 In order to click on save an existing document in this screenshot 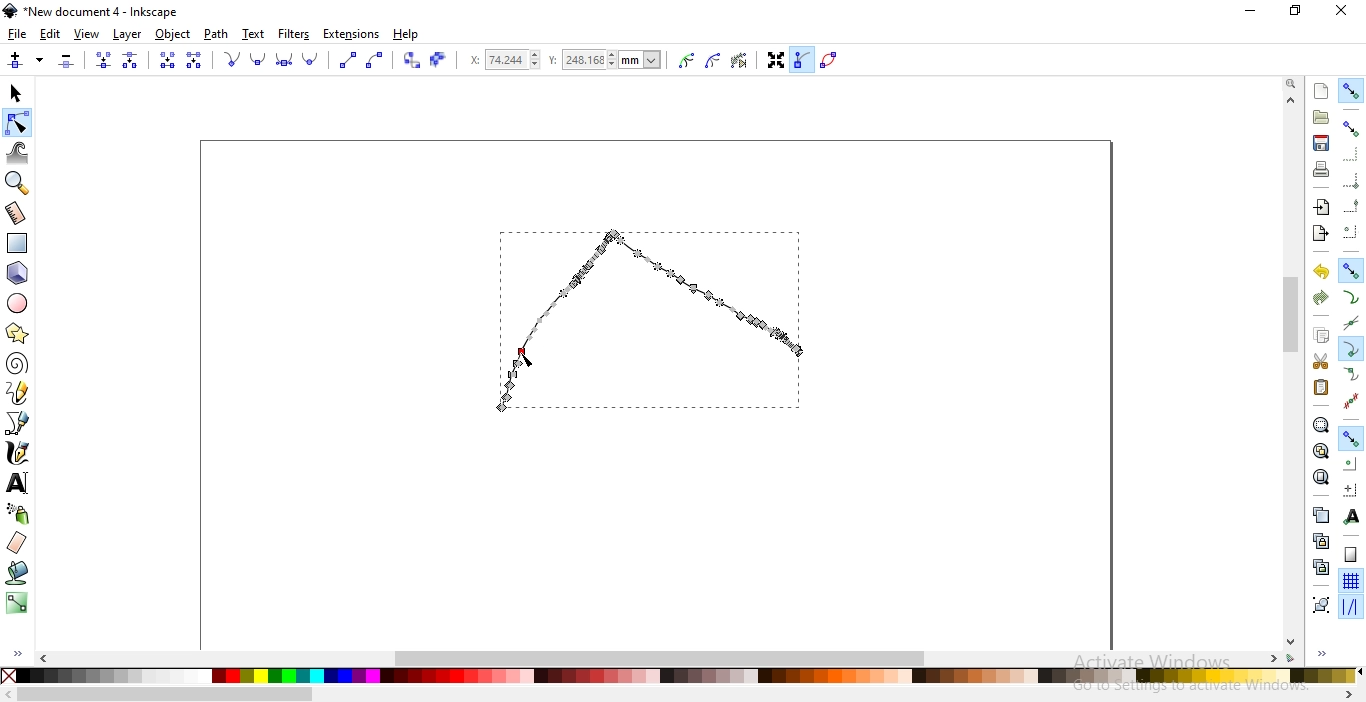, I will do `click(1321, 142)`.